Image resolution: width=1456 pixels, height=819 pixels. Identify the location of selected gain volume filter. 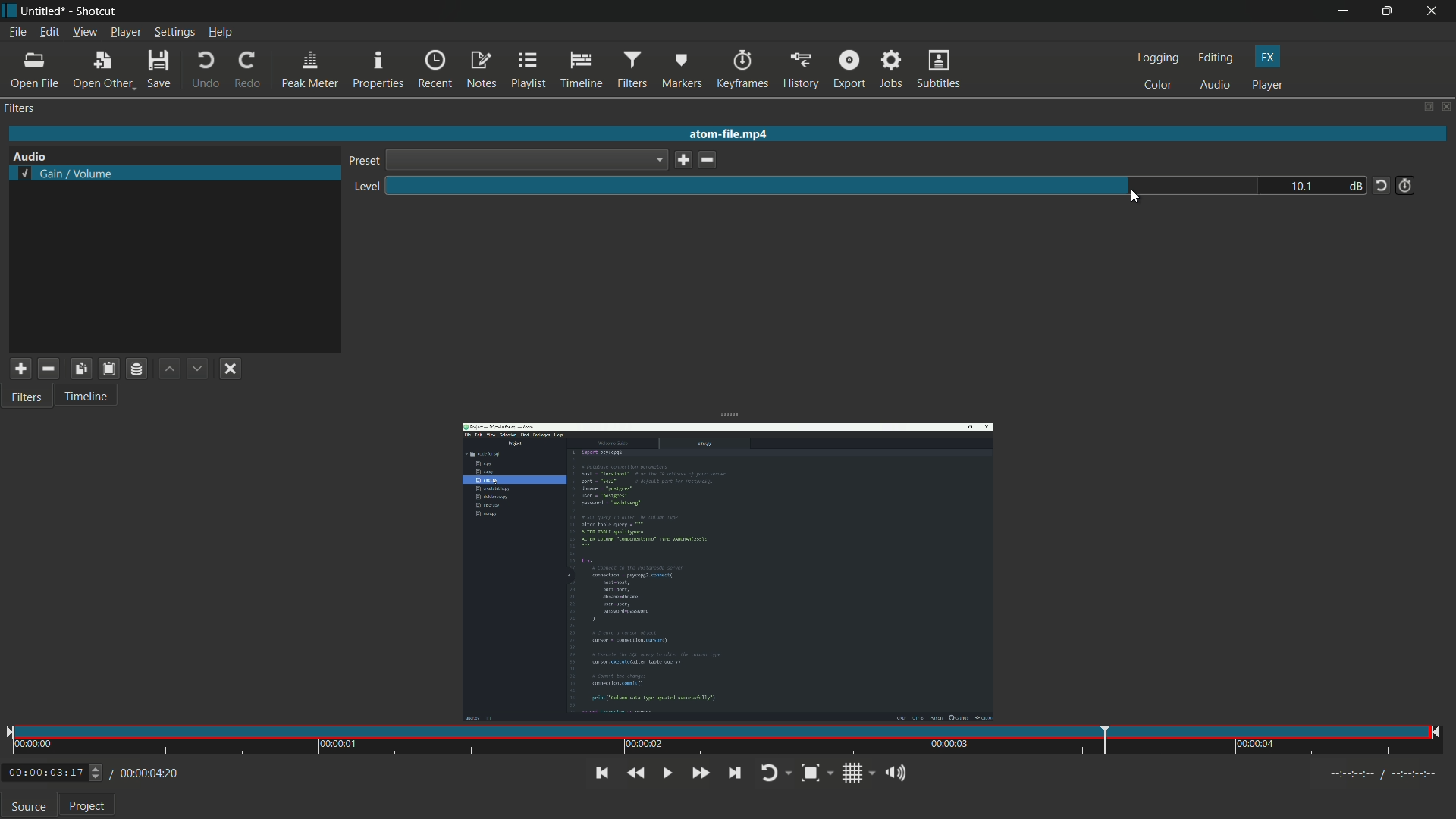
(64, 174).